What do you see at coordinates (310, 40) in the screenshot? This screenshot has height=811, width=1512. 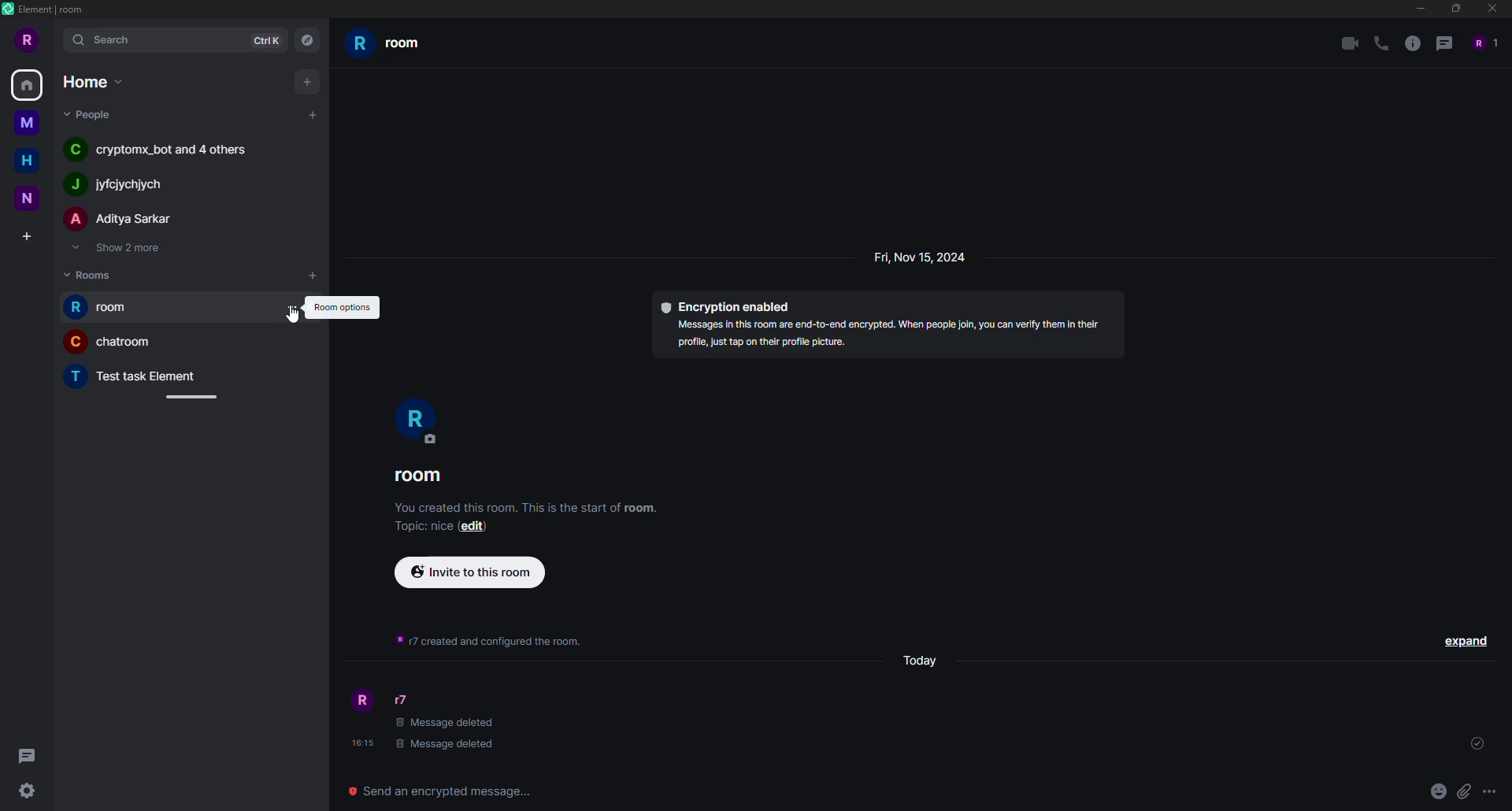 I see `navigator` at bounding box center [310, 40].